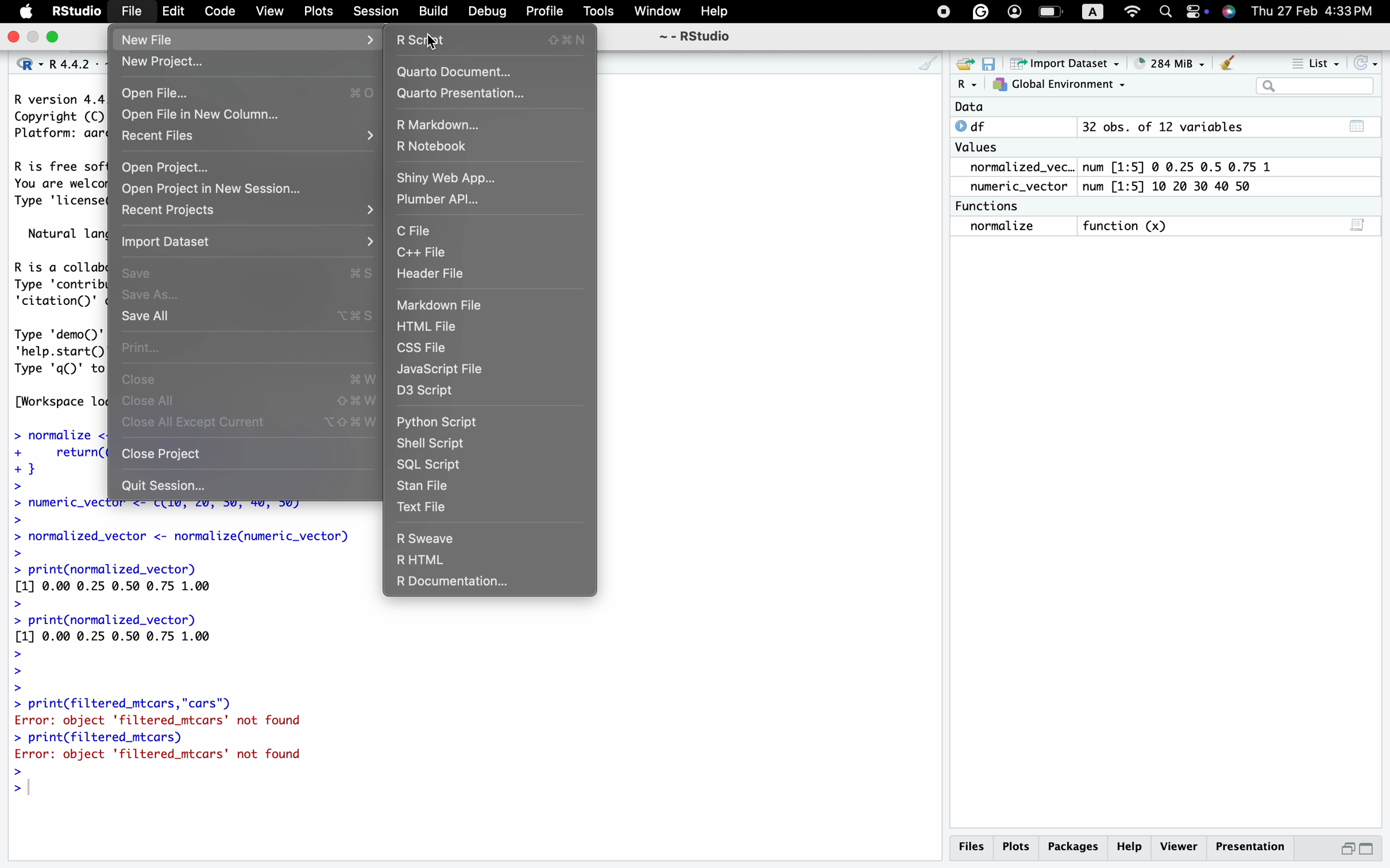  What do you see at coordinates (56, 38) in the screenshot?
I see `open` at bounding box center [56, 38].